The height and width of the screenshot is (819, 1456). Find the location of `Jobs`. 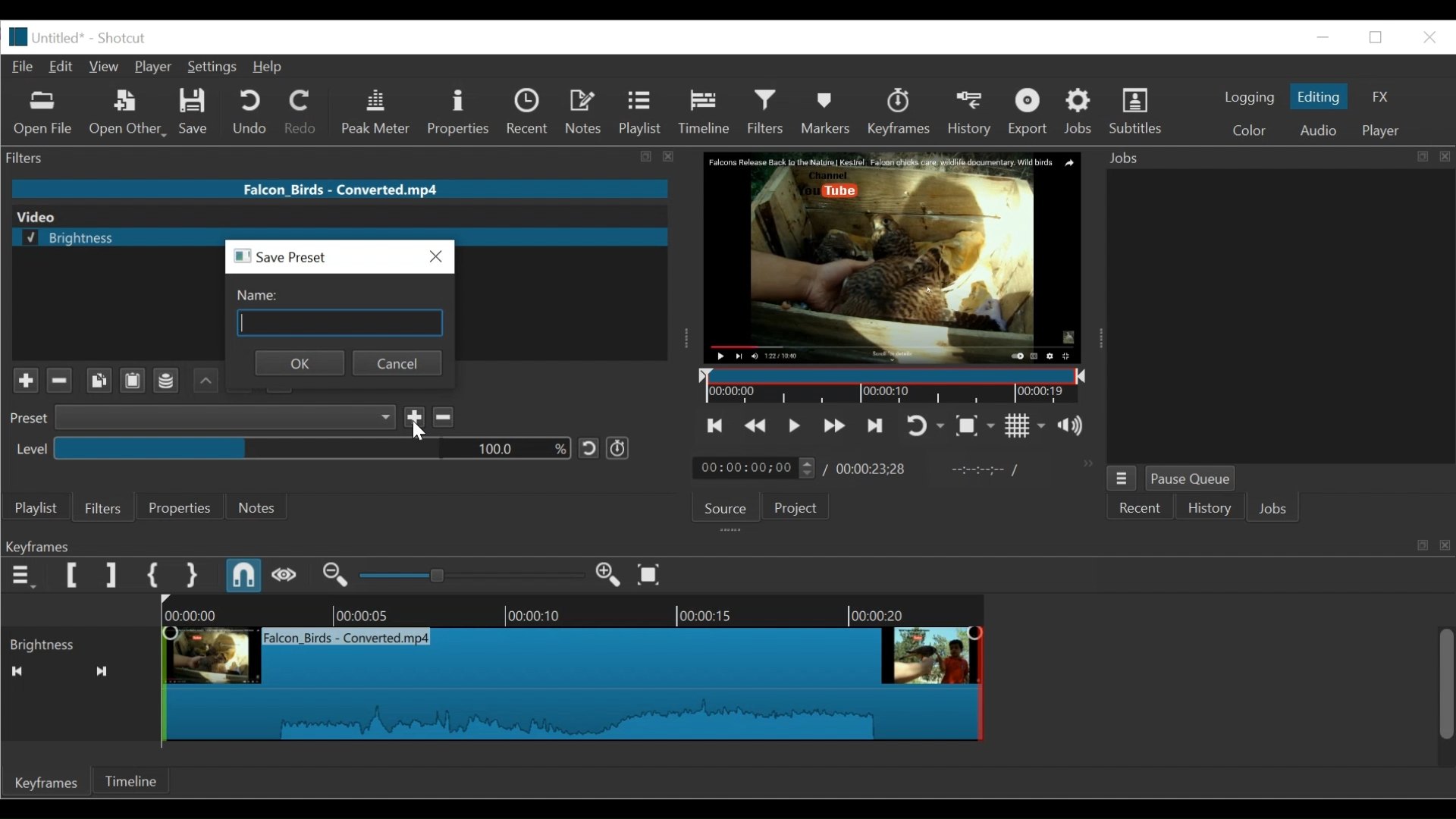

Jobs is located at coordinates (1079, 113).